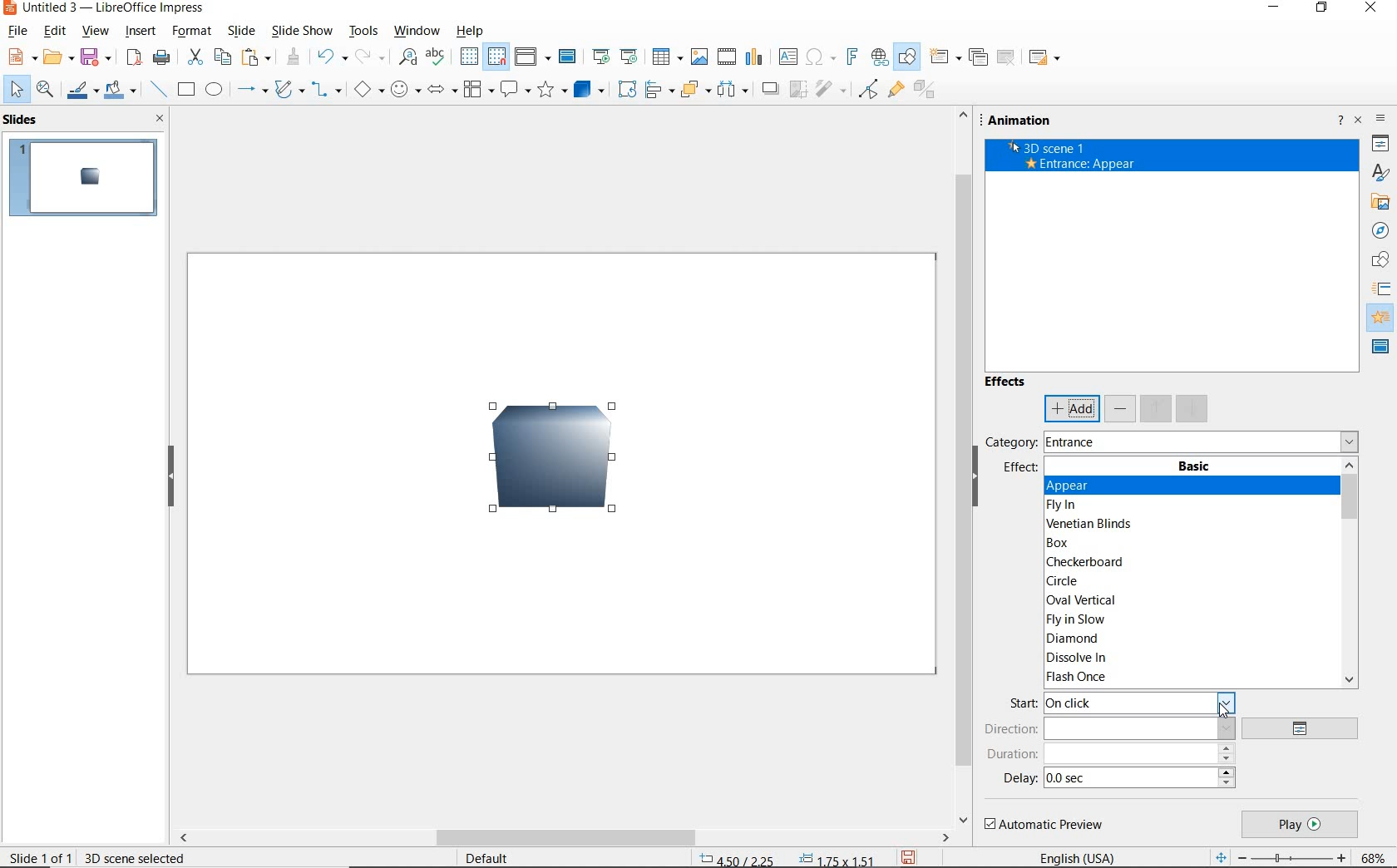 The width and height of the screenshot is (1397, 868). Describe the element at coordinates (1080, 164) in the screenshot. I see `ENTRANCE: APPEAR` at that location.